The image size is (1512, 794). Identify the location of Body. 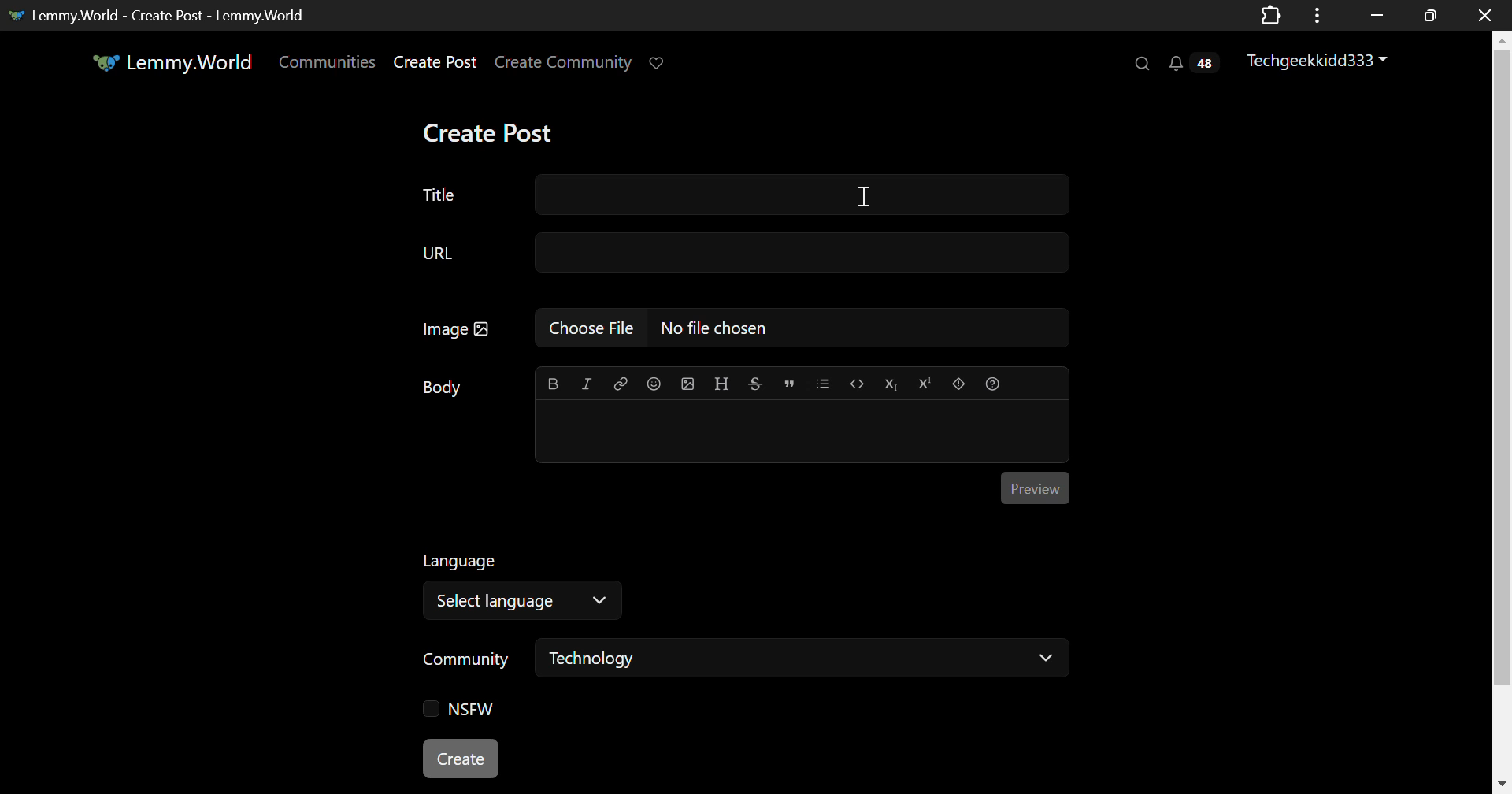
(441, 388).